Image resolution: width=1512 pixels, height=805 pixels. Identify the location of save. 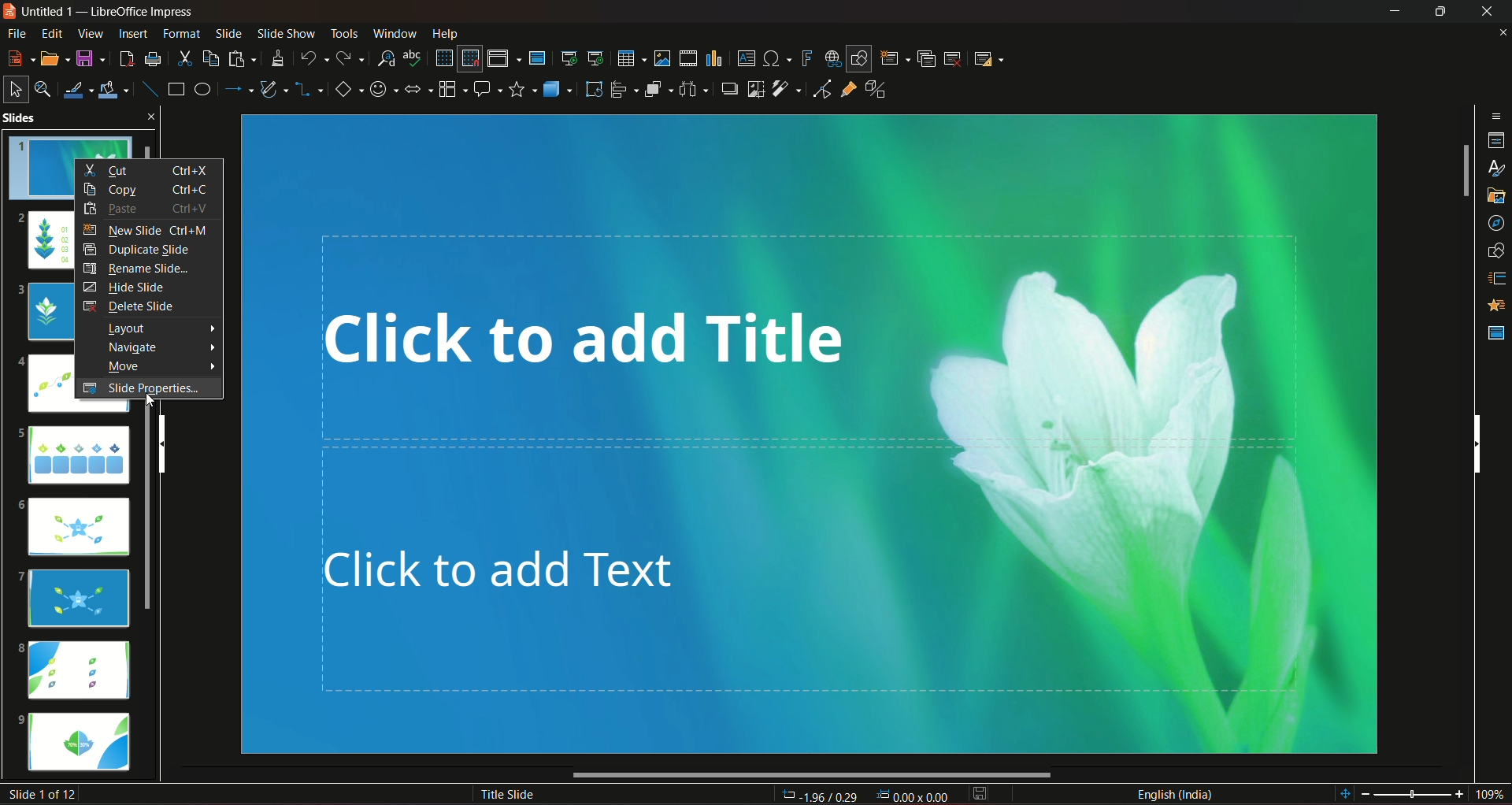
(980, 793).